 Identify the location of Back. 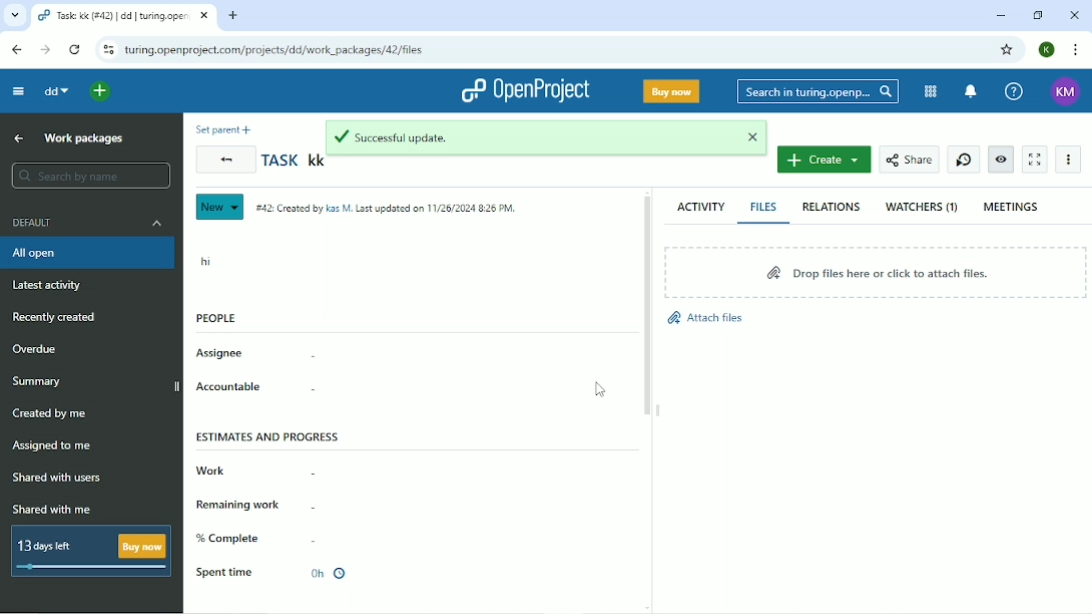
(17, 49).